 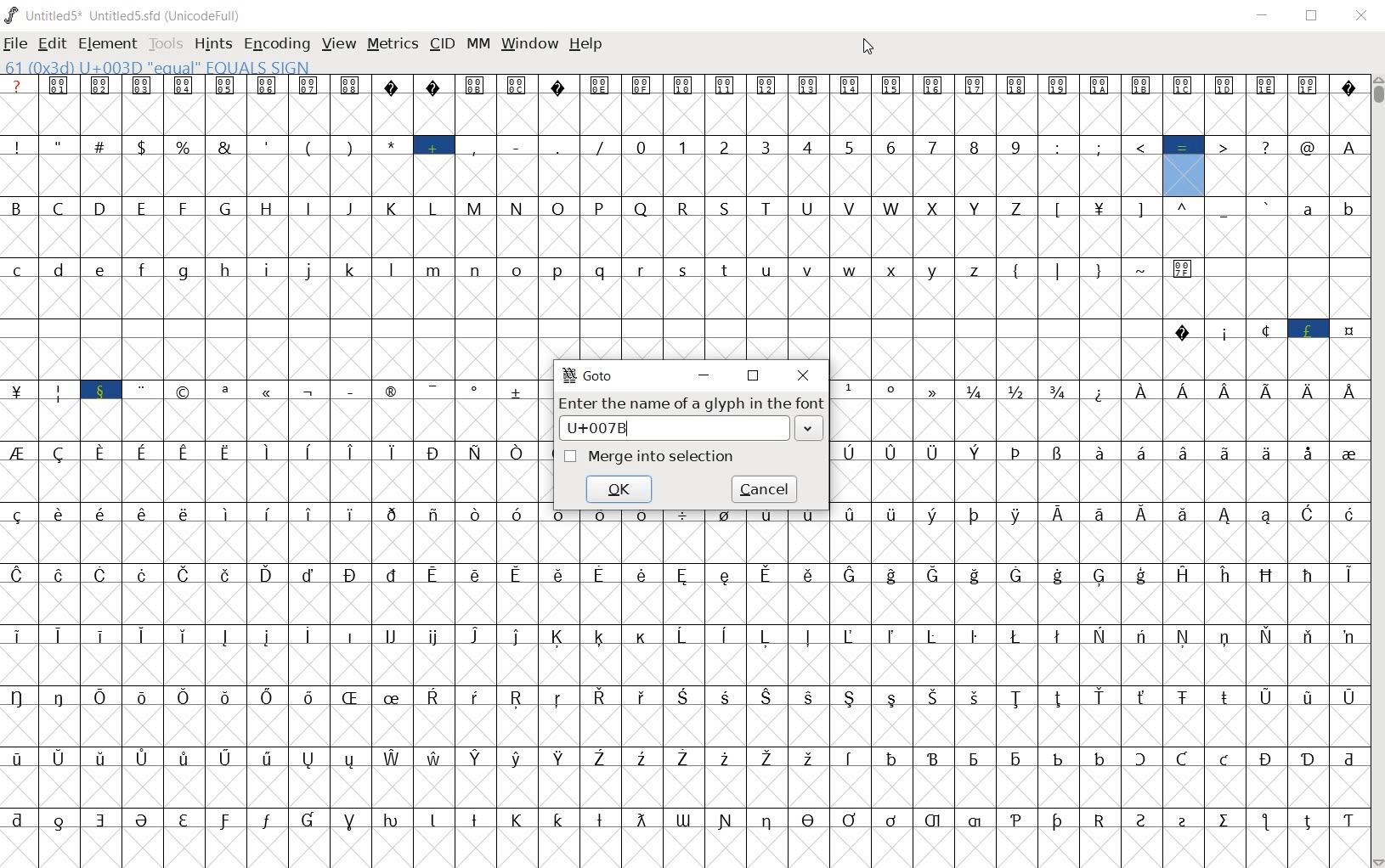 What do you see at coordinates (107, 44) in the screenshot?
I see `element` at bounding box center [107, 44].